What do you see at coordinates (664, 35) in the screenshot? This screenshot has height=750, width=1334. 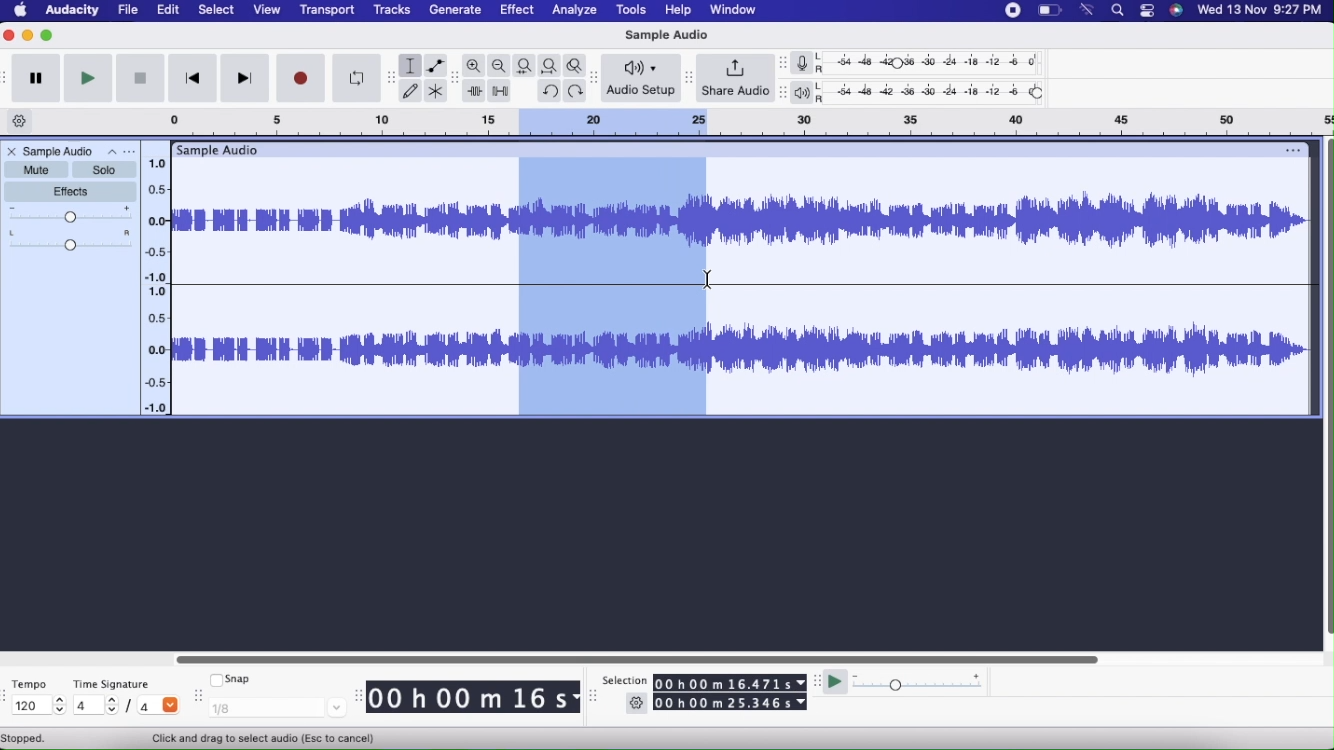 I see `Sample Audio` at bounding box center [664, 35].